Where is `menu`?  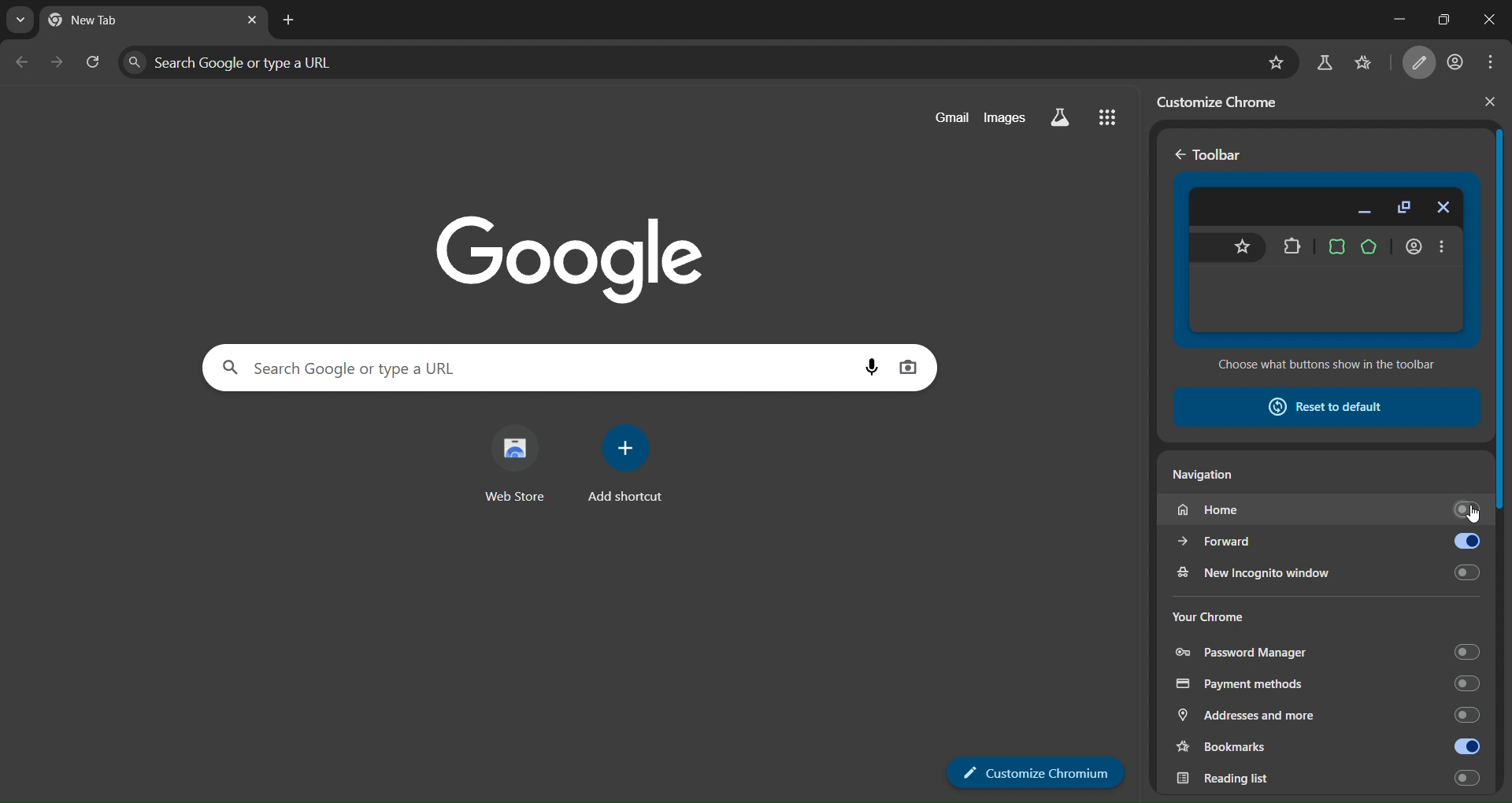
menu is located at coordinates (1496, 61).